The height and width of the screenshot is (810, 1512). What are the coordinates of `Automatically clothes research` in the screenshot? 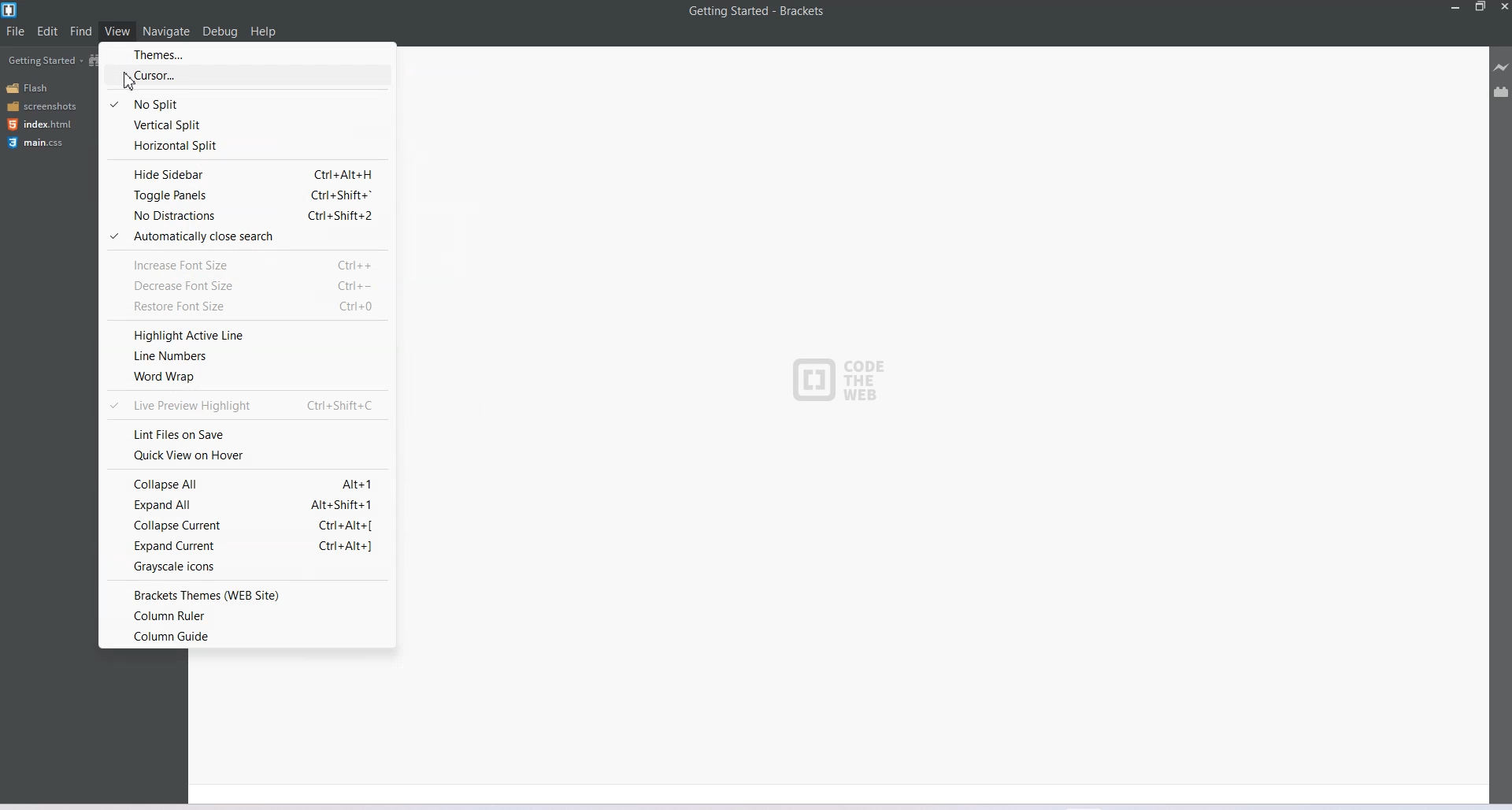 It's located at (246, 237).